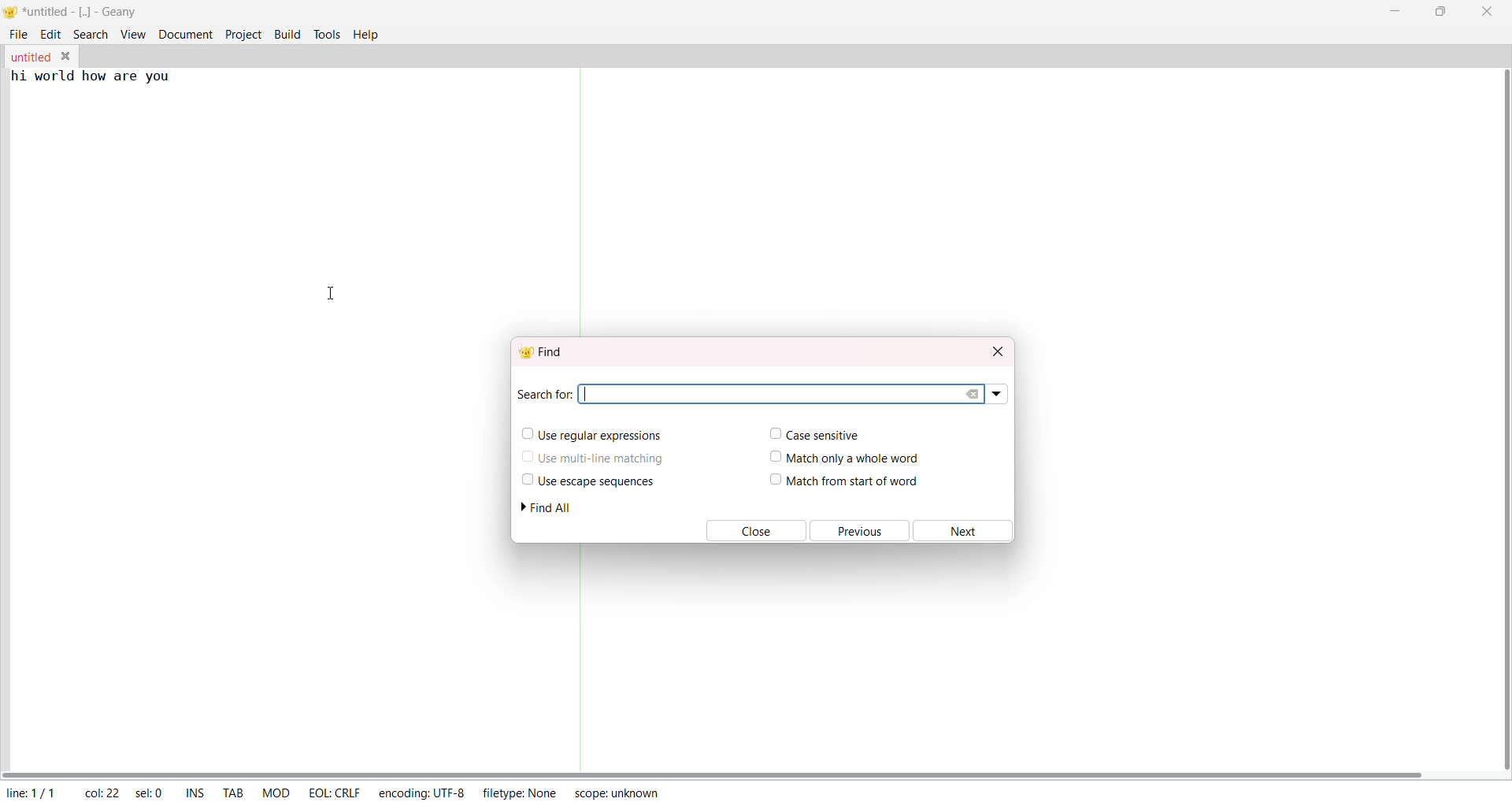  Describe the element at coordinates (539, 351) in the screenshot. I see `find` at that location.